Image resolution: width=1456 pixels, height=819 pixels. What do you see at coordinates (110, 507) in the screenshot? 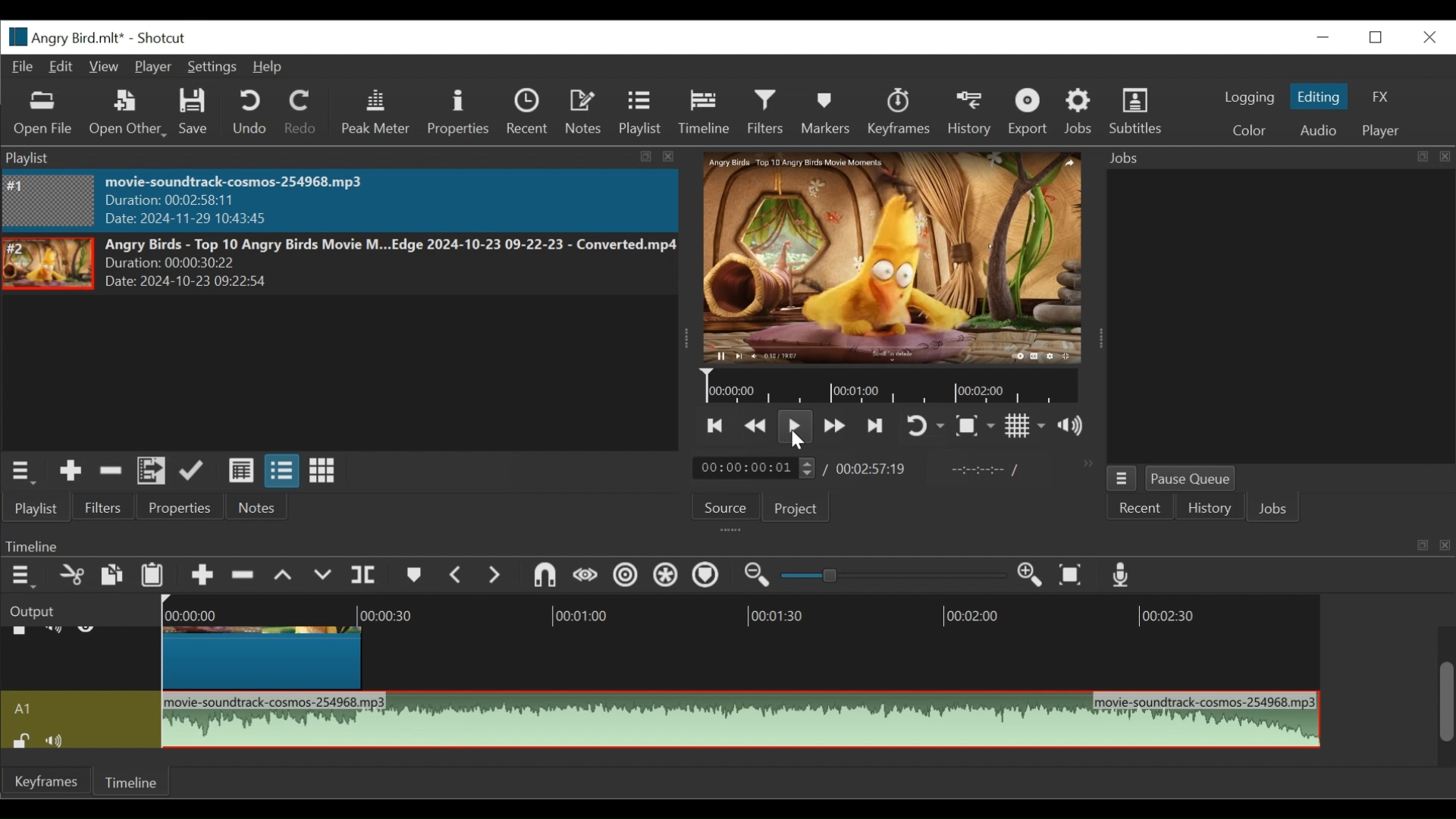
I see `Filters` at bounding box center [110, 507].